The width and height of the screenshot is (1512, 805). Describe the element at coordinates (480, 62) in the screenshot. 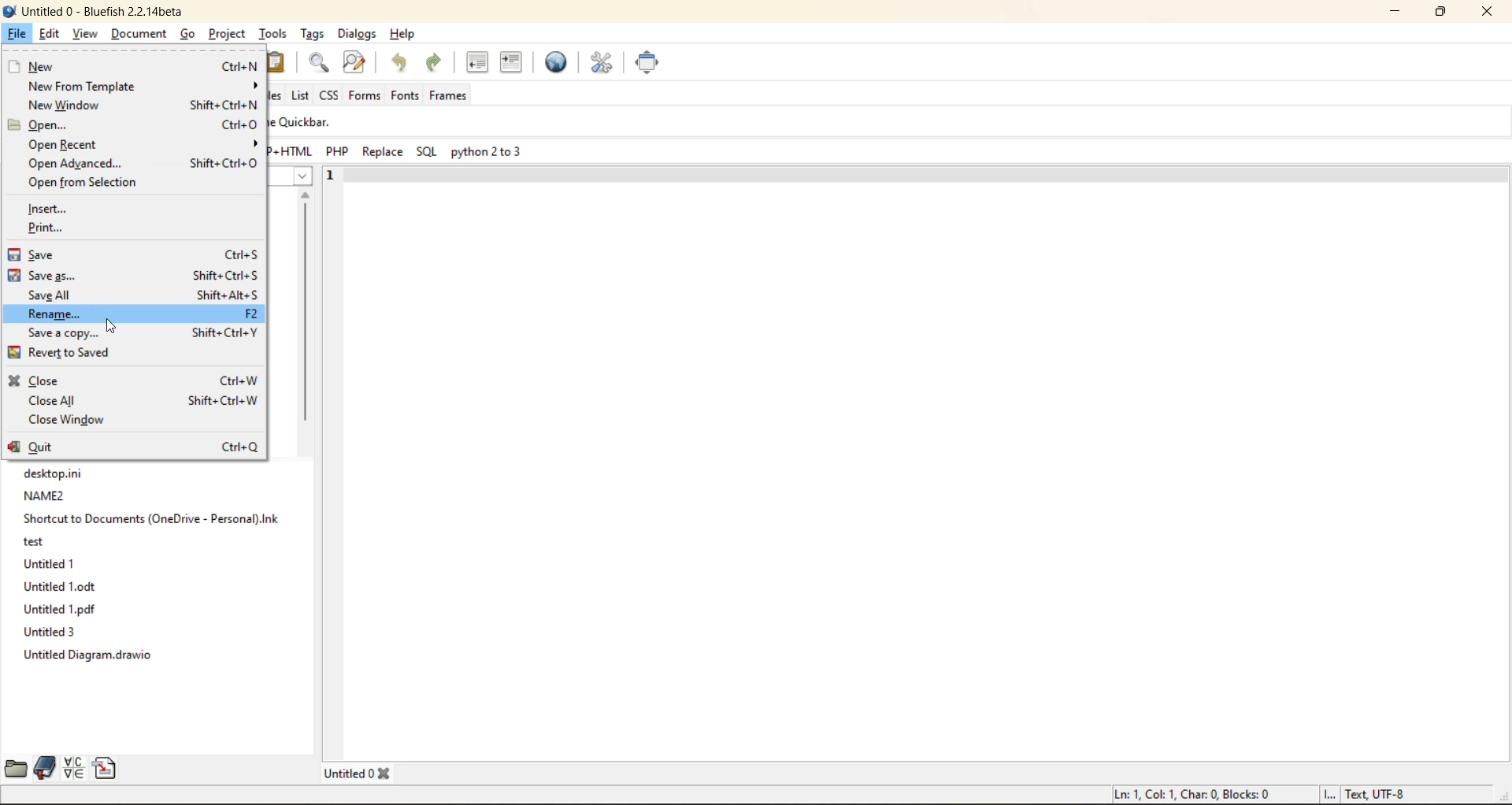

I see `unindent` at that location.